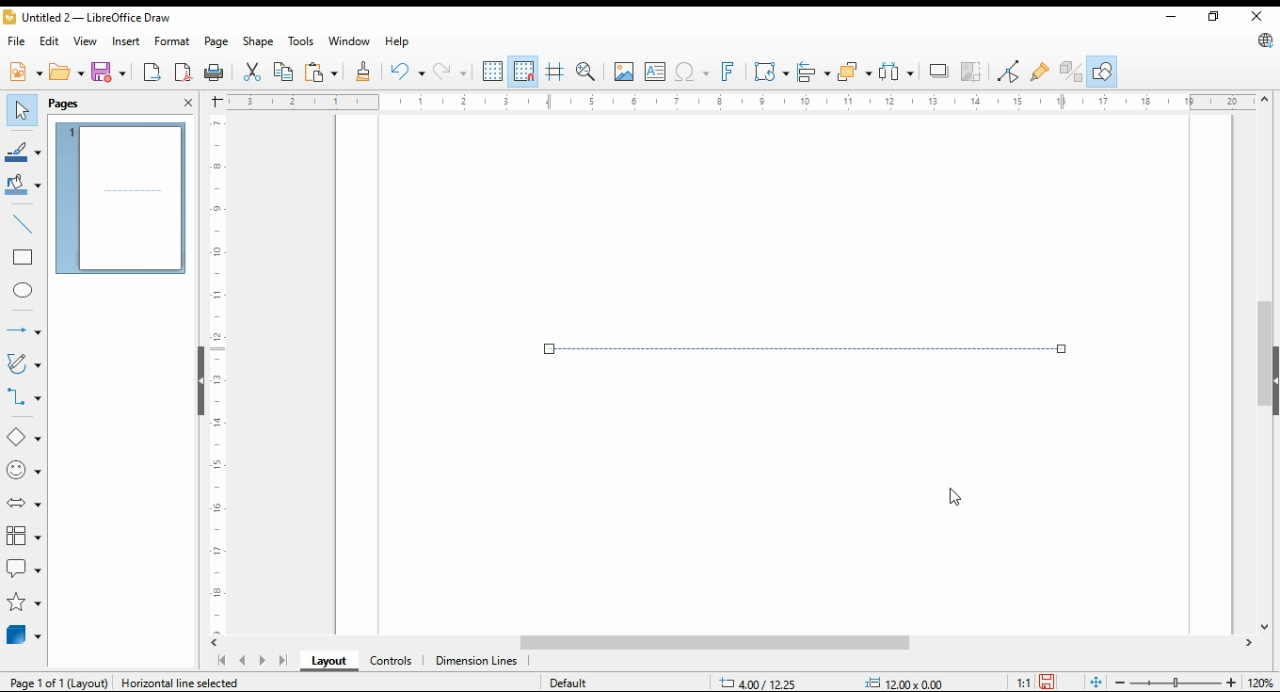 The image size is (1280, 692). Describe the element at coordinates (1174, 13) in the screenshot. I see `minimize` at that location.